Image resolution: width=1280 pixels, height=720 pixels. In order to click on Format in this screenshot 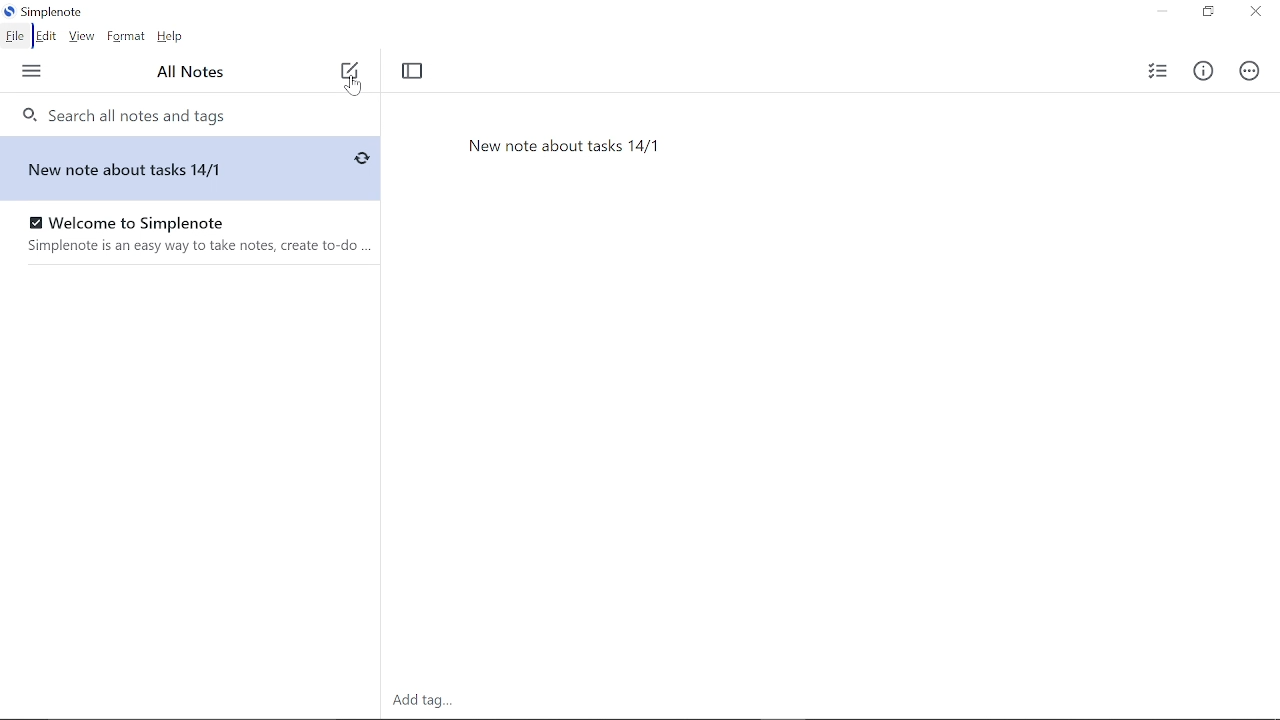, I will do `click(126, 37)`.